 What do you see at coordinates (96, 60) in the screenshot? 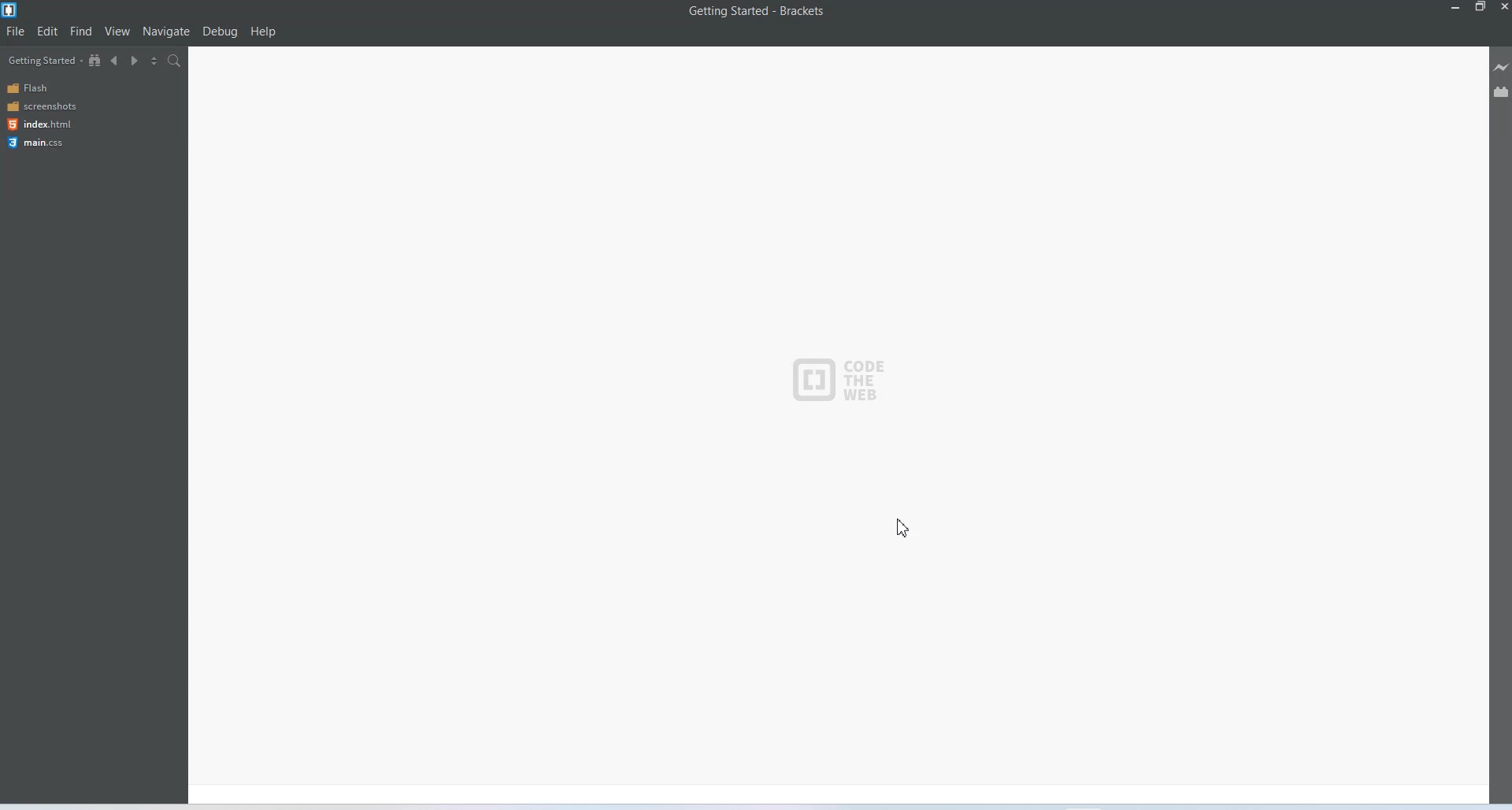
I see `Show in file tree` at bounding box center [96, 60].